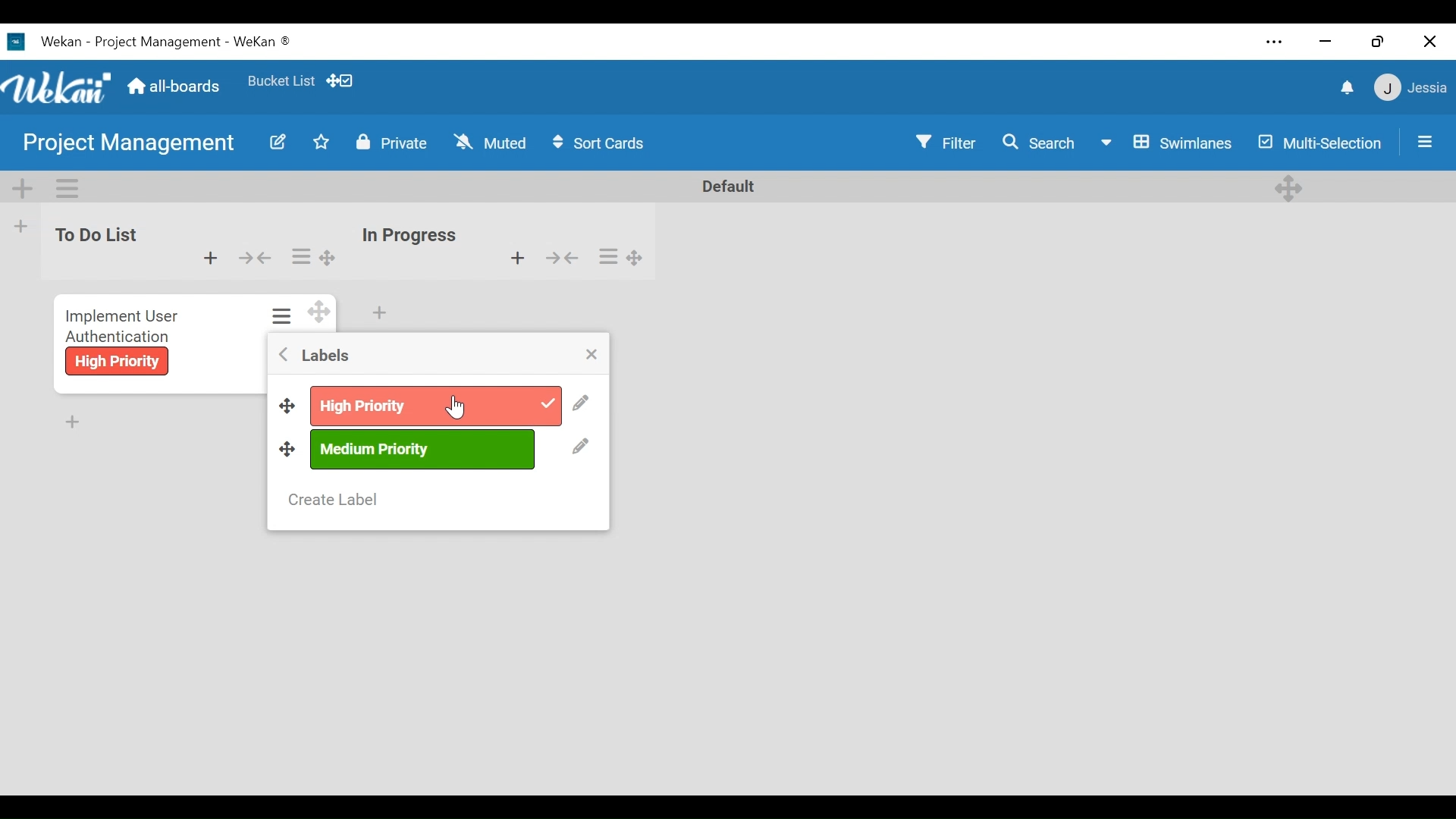 The width and height of the screenshot is (1456, 819). I want to click on notification, so click(1346, 88).